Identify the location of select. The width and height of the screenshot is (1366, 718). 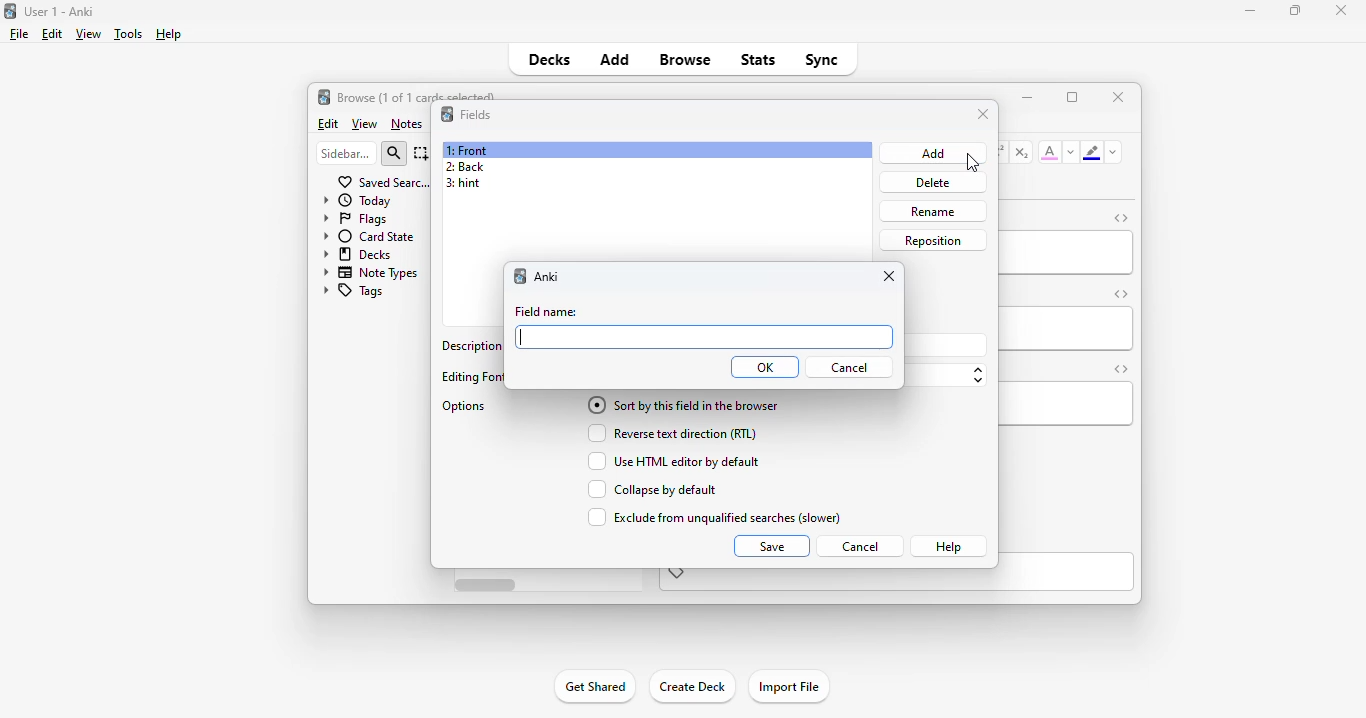
(422, 153).